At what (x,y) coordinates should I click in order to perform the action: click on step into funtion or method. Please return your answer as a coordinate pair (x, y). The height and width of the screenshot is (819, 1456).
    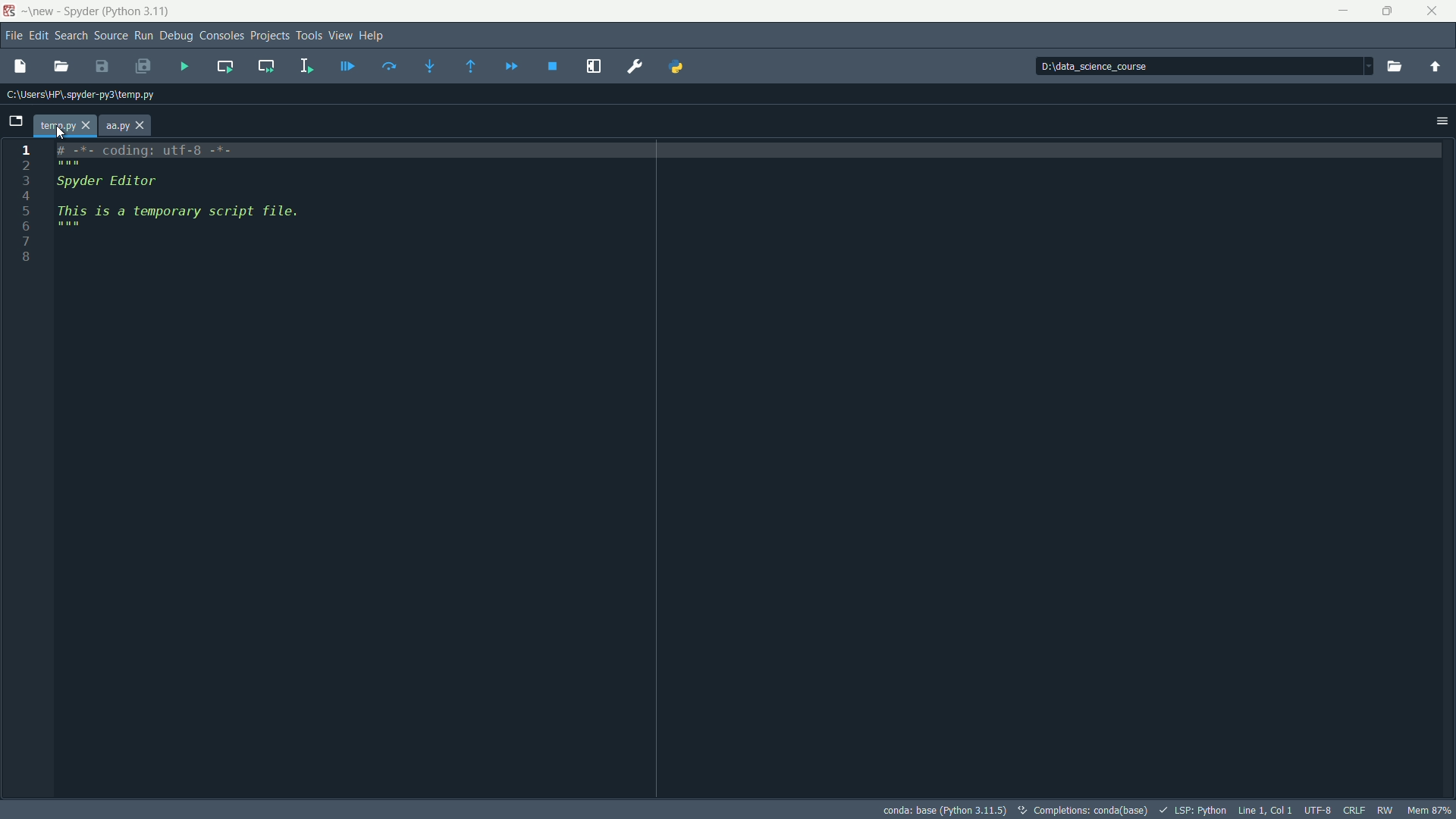
    Looking at the image, I should click on (436, 66).